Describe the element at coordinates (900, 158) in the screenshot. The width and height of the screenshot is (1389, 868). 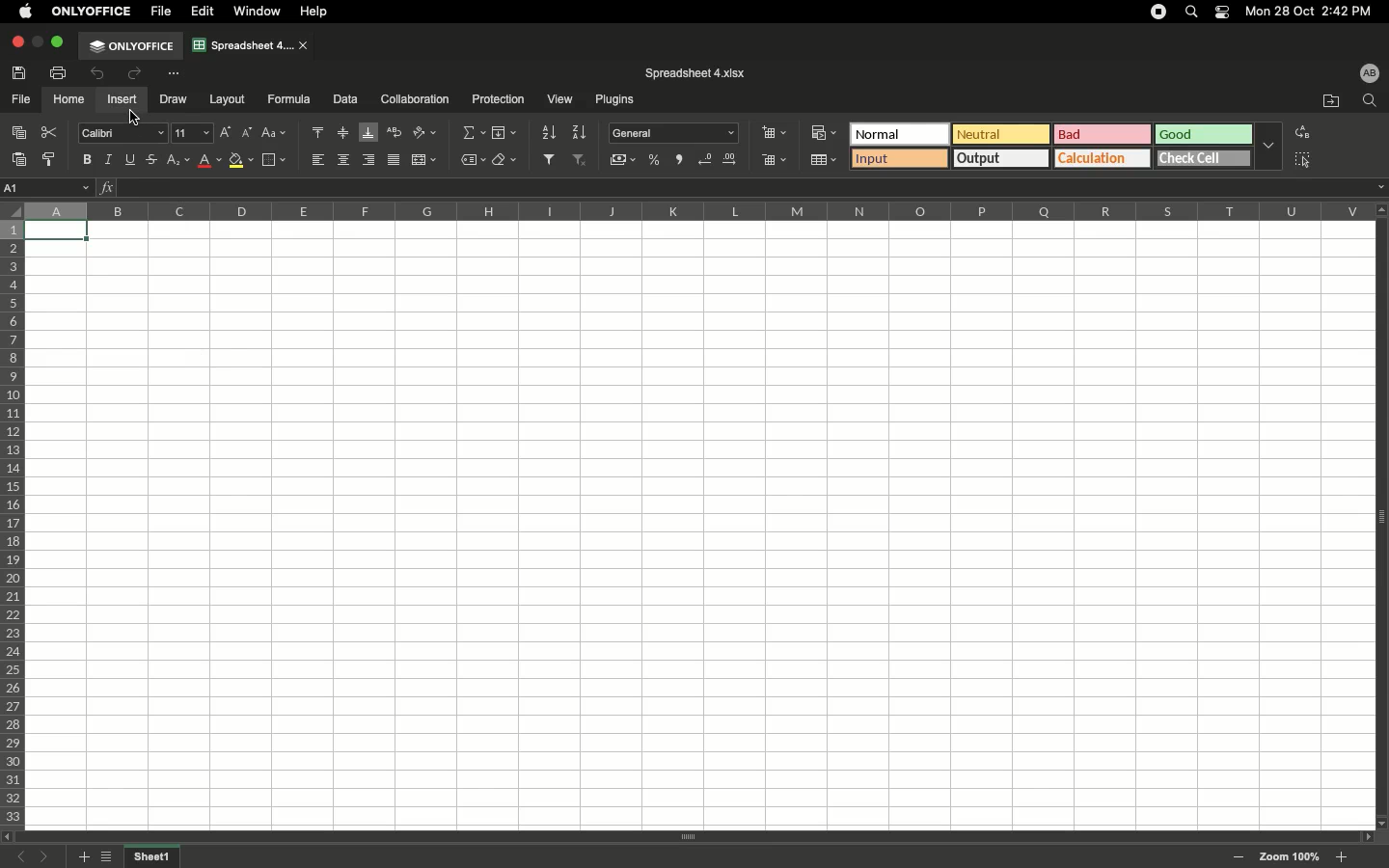
I see `Input` at that location.